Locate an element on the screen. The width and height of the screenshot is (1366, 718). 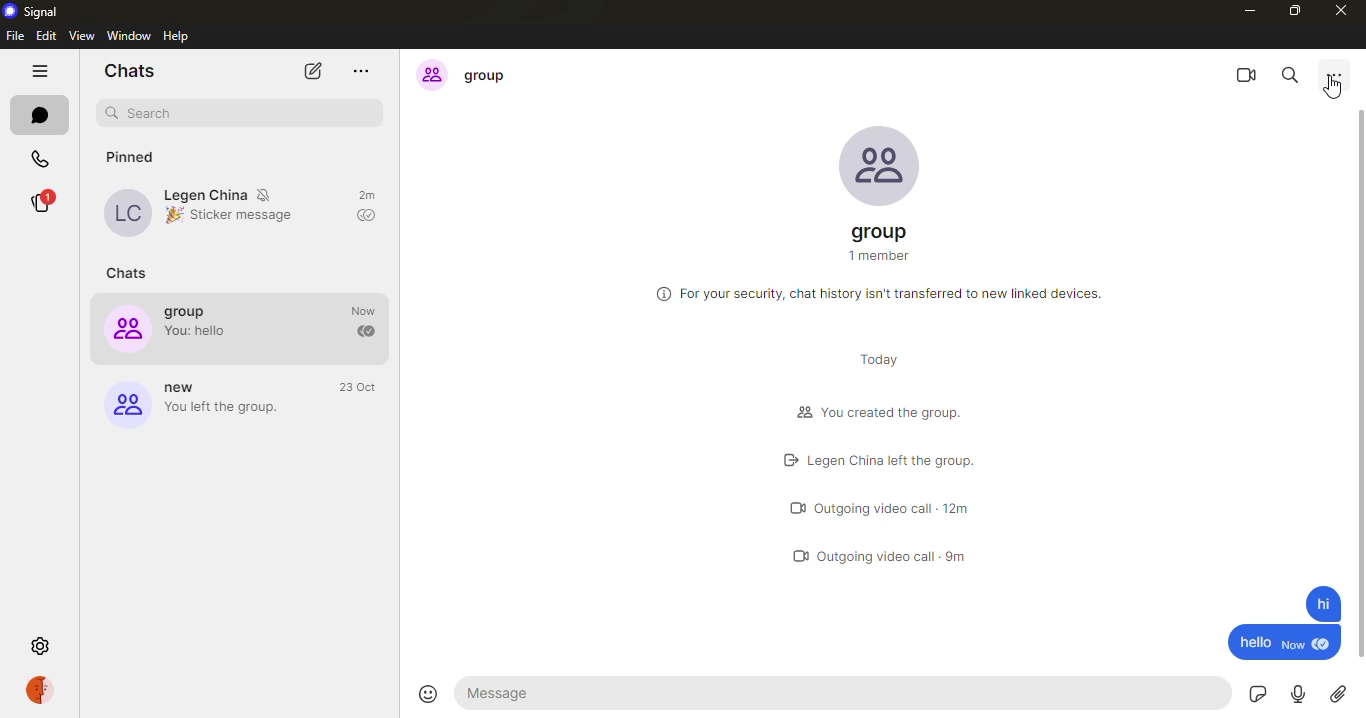
more is located at coordinates (367, 71).